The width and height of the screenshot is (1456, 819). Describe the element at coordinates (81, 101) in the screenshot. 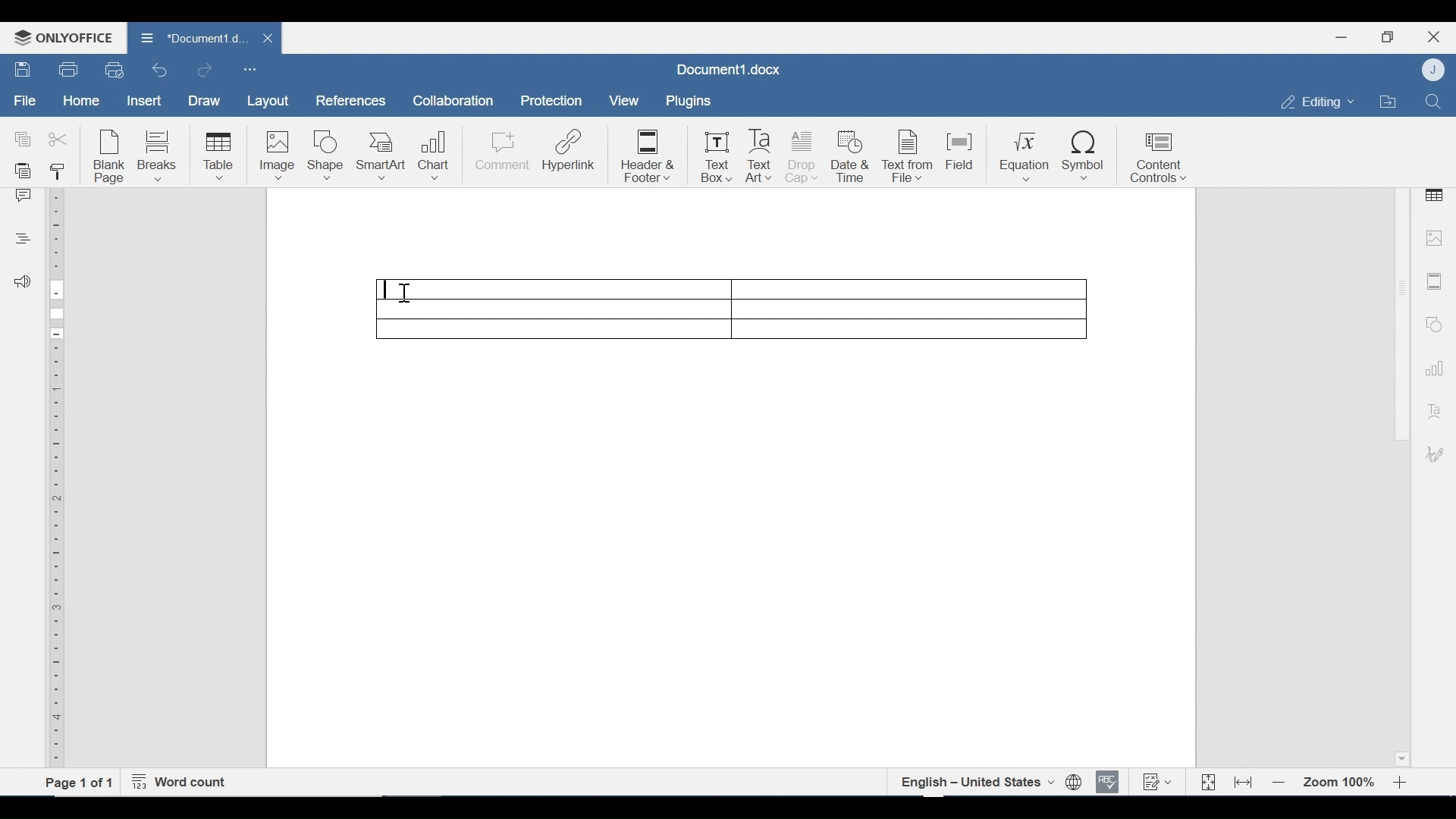

I see `Home` at that location.